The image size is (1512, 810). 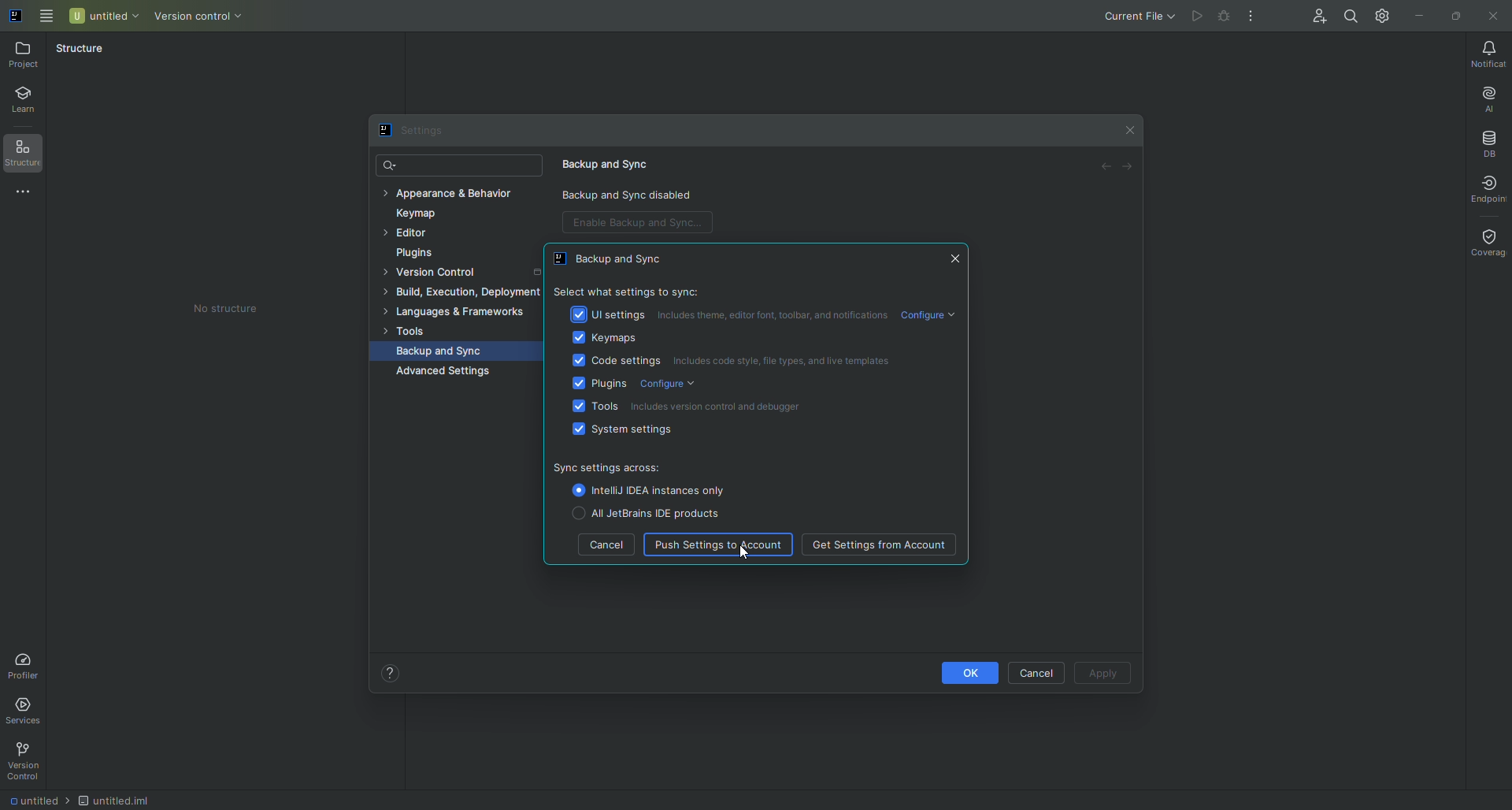 I want to click on Learn, so click(x=31, y=102).